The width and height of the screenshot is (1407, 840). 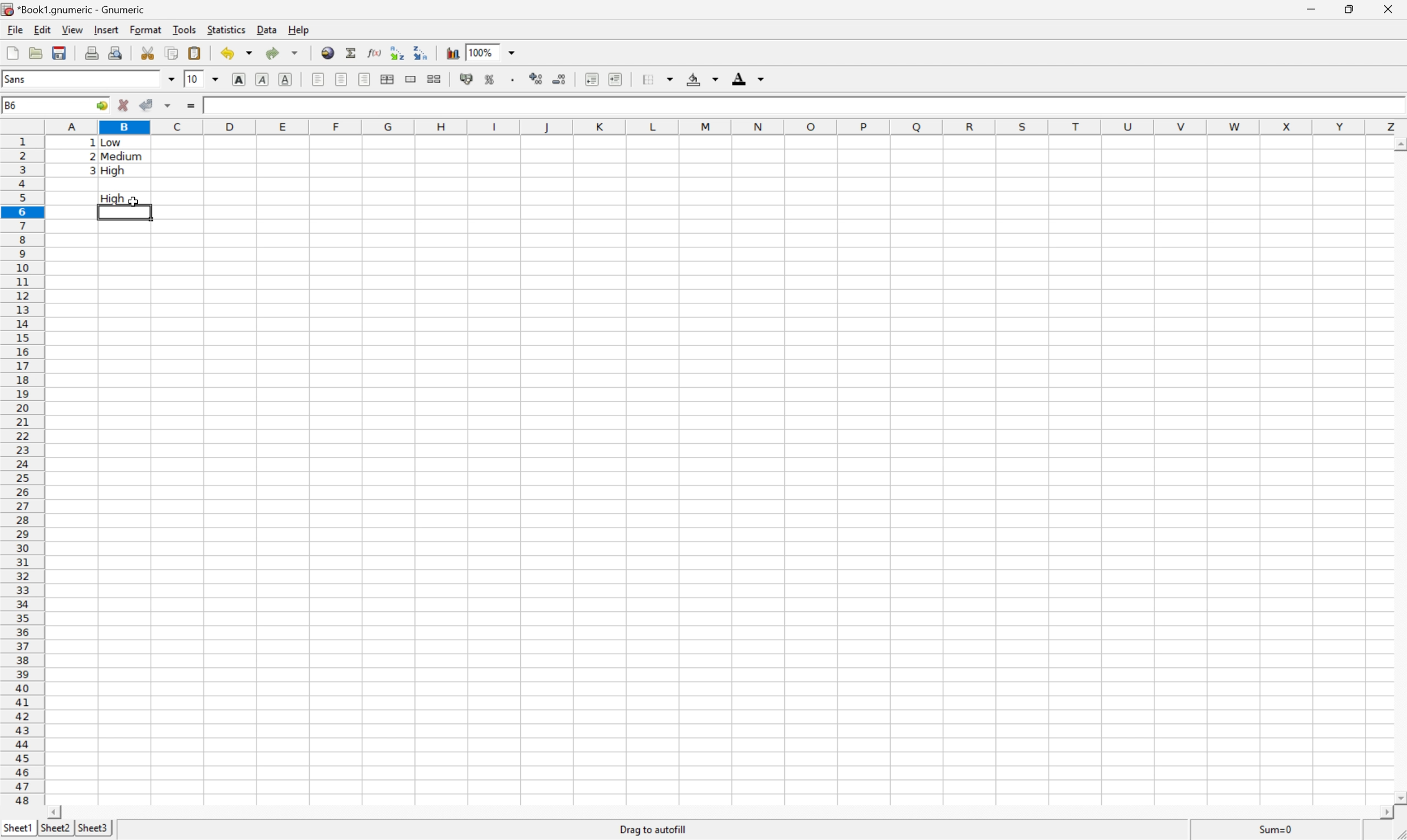 What do you see at coordinates (454, 53) in the screenshot?
I see `Insert a chart` at bounding box center [454, 53].